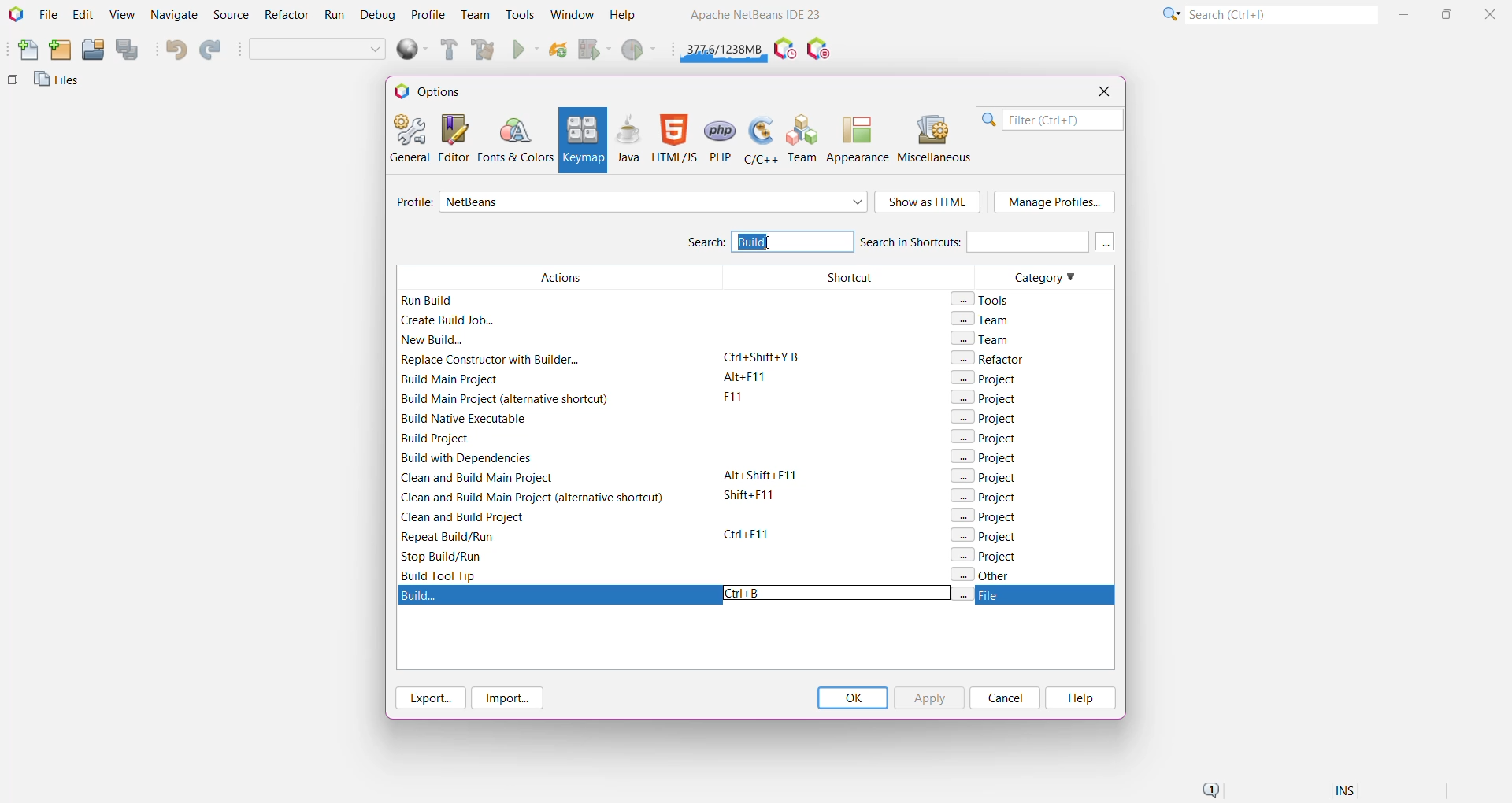 The image size is (1512, 803). What do you see at coordinates (1030, 424) in the screenshot?
I see `Category` at bounding box center [1030, 424].